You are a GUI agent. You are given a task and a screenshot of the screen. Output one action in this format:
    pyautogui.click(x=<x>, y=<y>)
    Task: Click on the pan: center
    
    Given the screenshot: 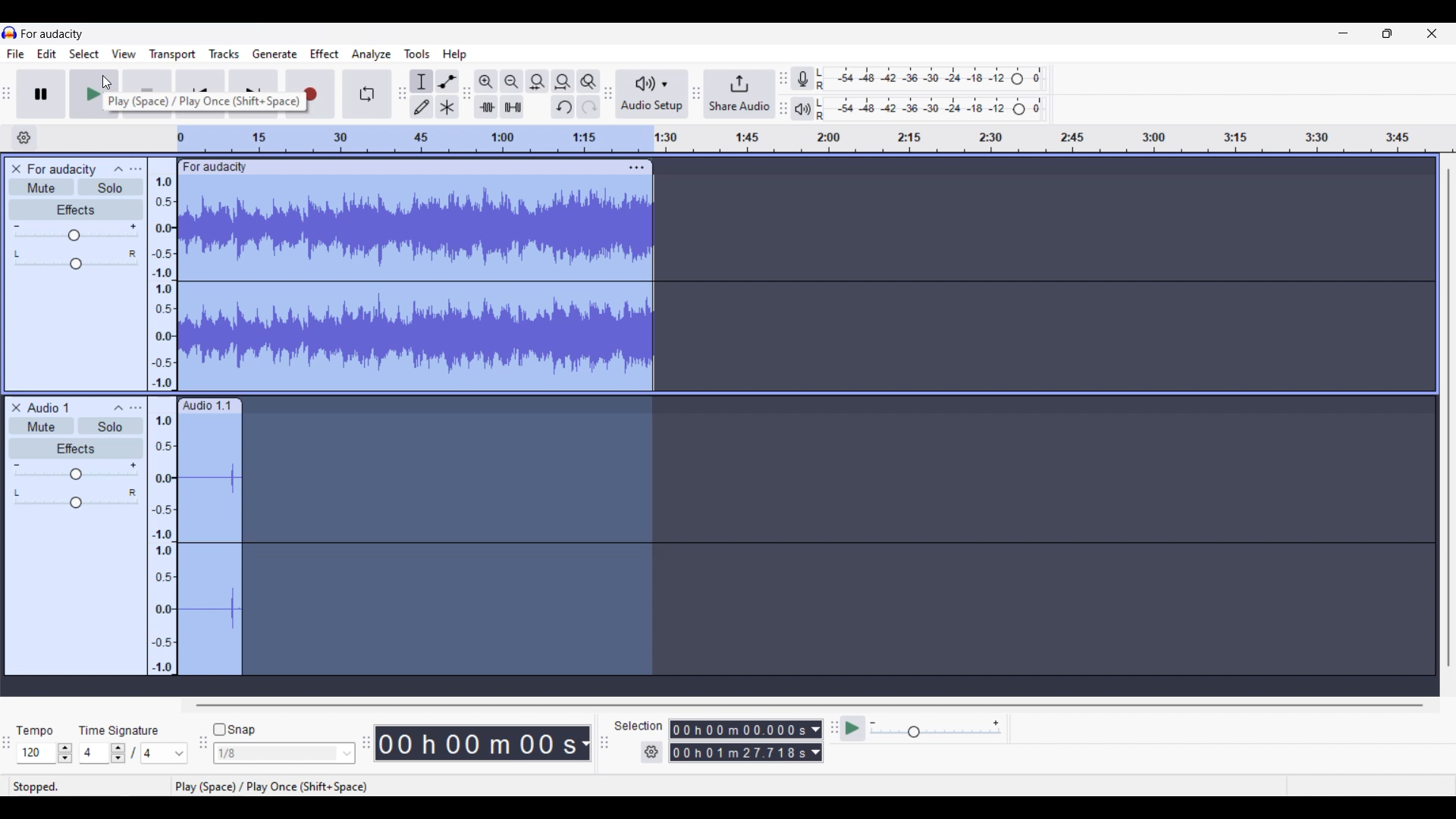 What is the action you would take?
    pyautogui.click(x=77, y=498)
    